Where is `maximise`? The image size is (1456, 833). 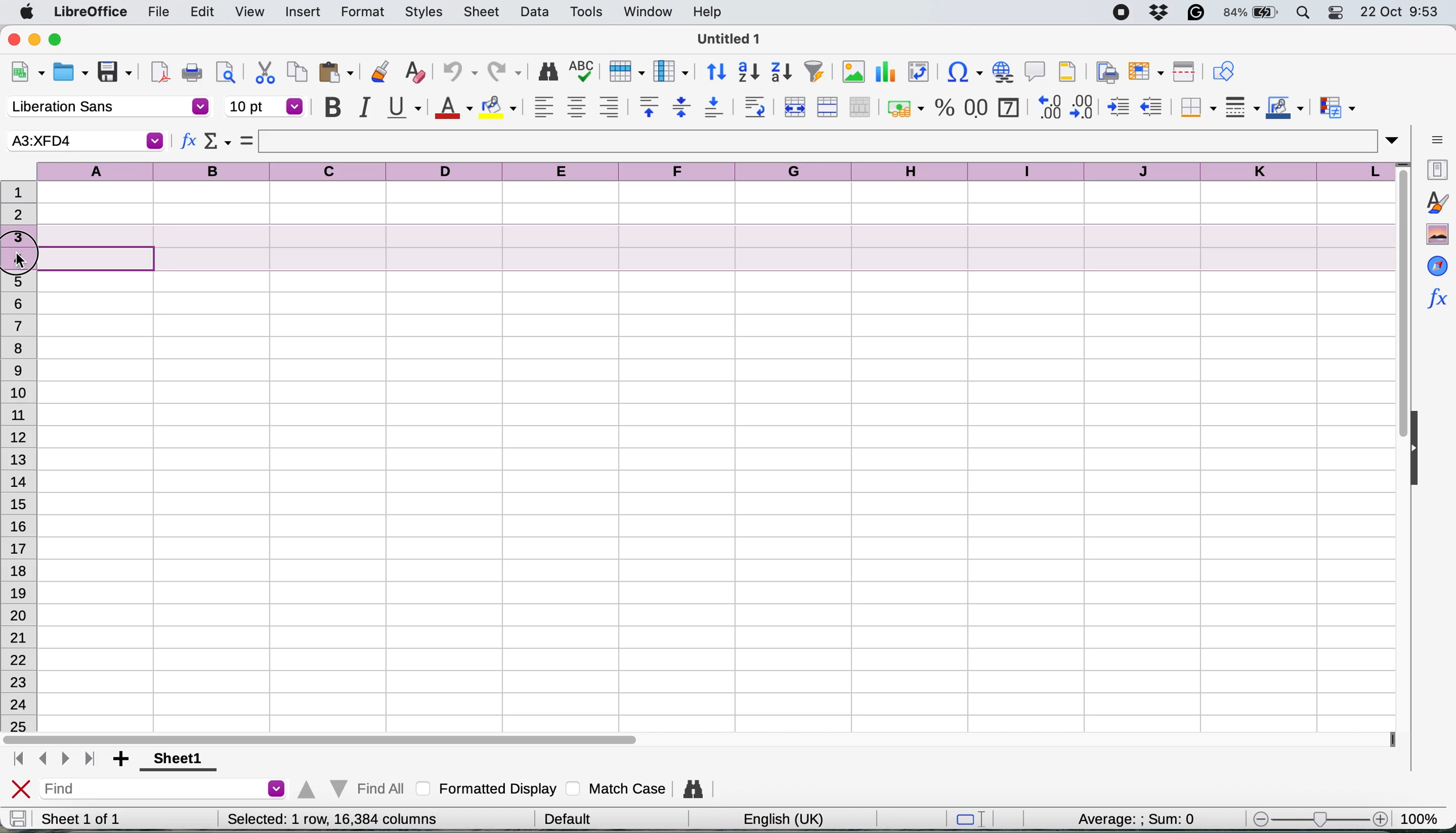 maximise is located at coordinates (61, 40).